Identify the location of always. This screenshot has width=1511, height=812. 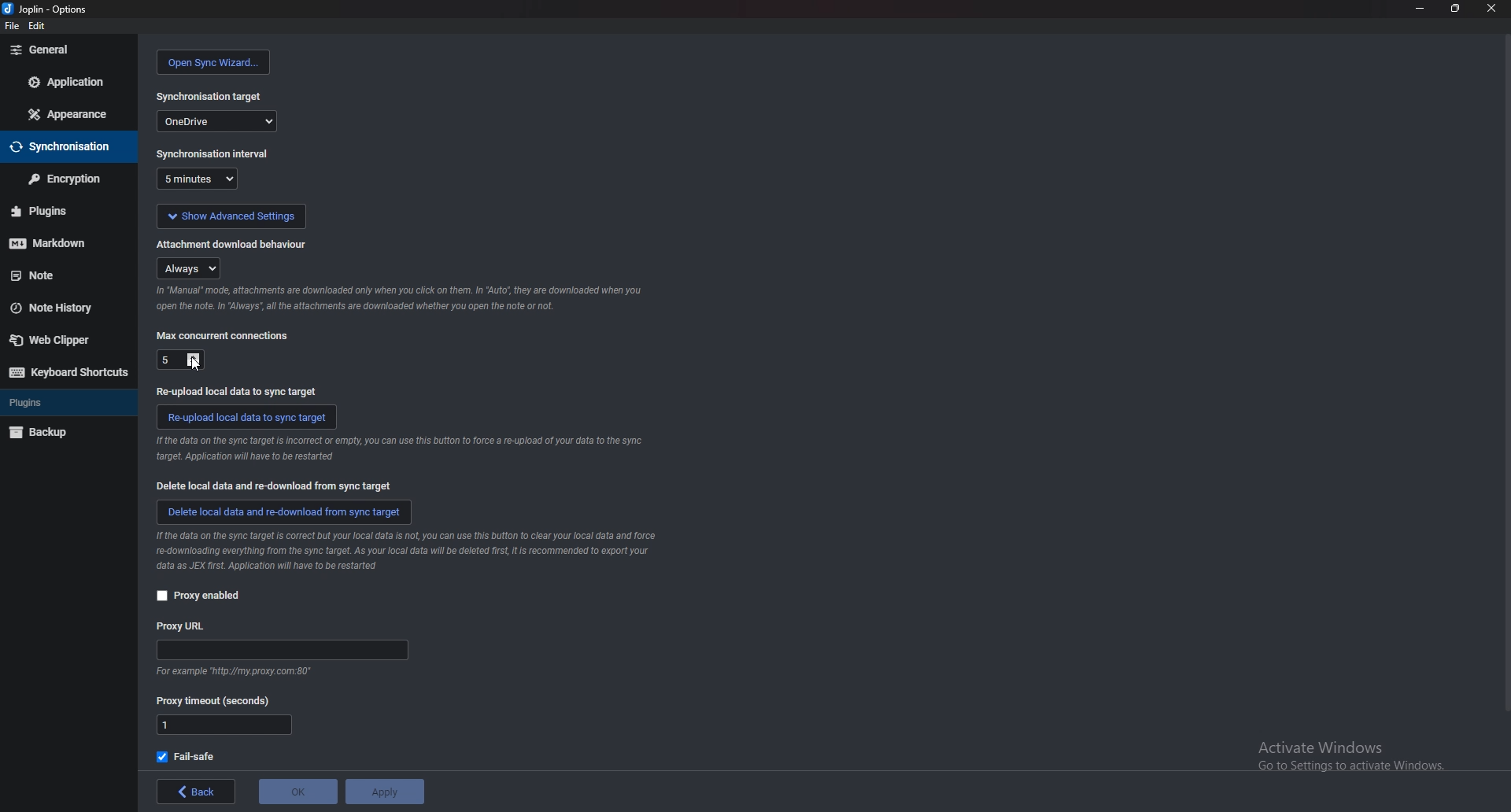
(187, 268).